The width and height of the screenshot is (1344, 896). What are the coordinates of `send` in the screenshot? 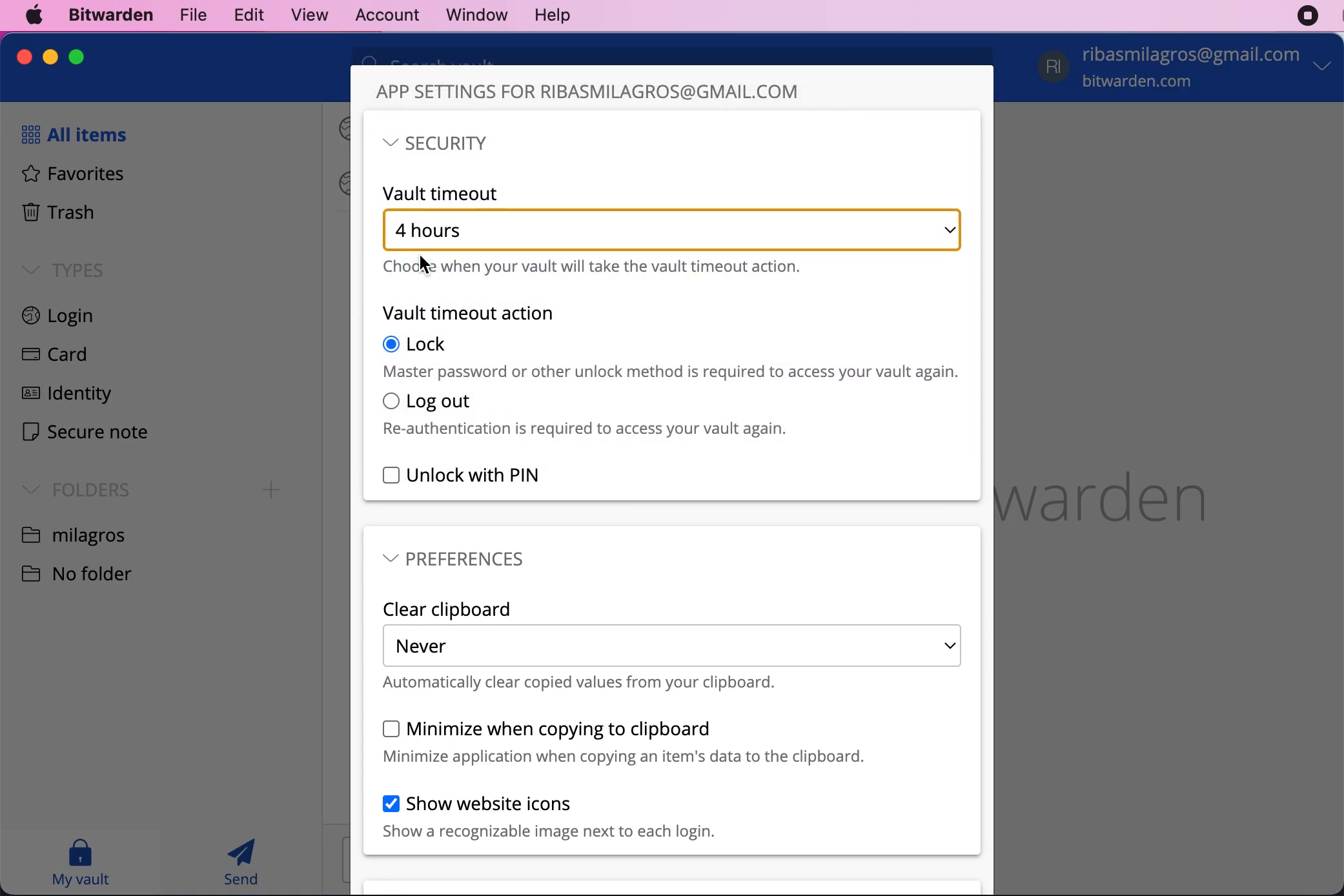 It's located at (243, 862).